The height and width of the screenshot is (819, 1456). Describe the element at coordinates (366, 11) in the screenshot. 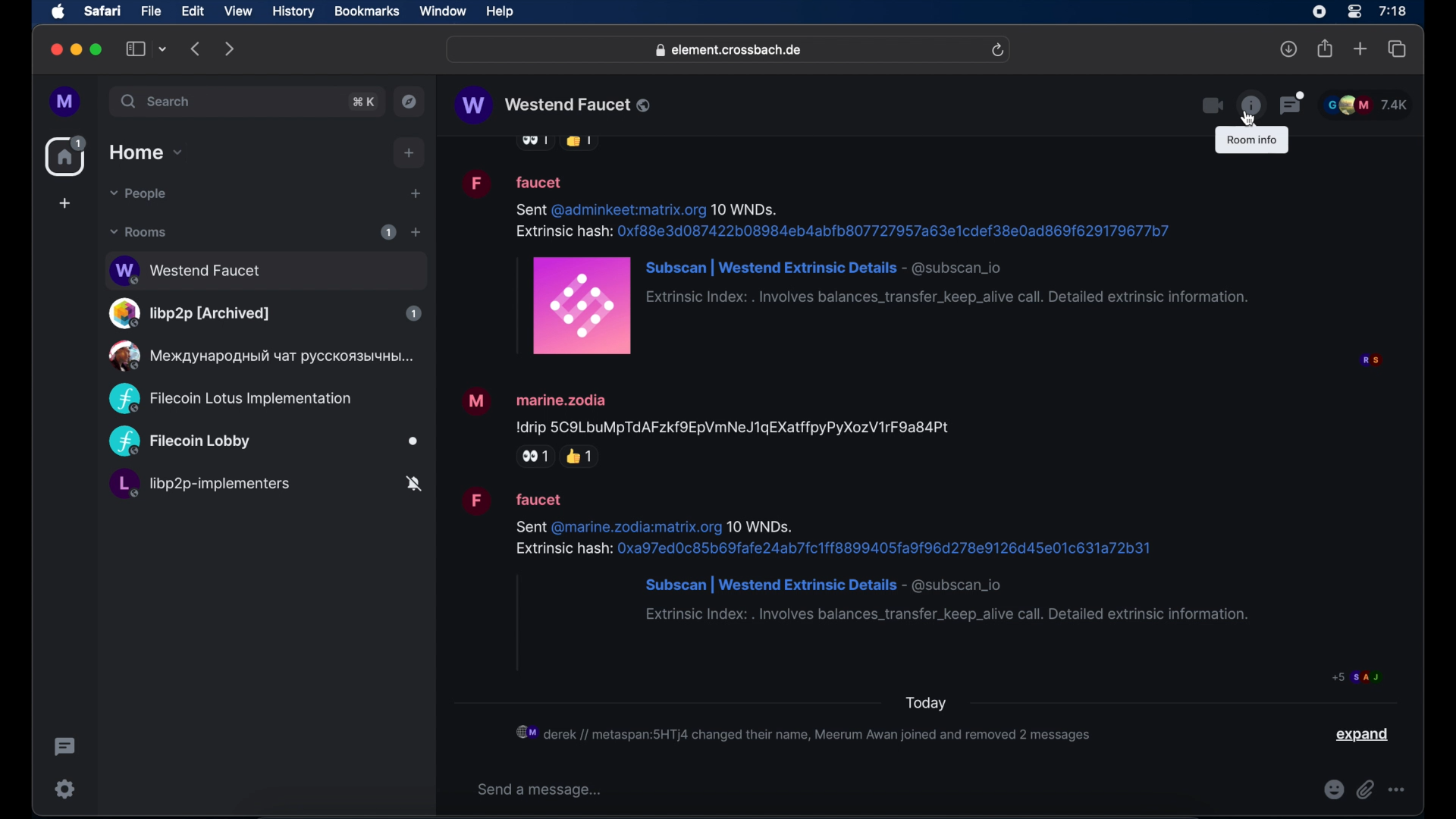

I see `bookmarks` at that location.